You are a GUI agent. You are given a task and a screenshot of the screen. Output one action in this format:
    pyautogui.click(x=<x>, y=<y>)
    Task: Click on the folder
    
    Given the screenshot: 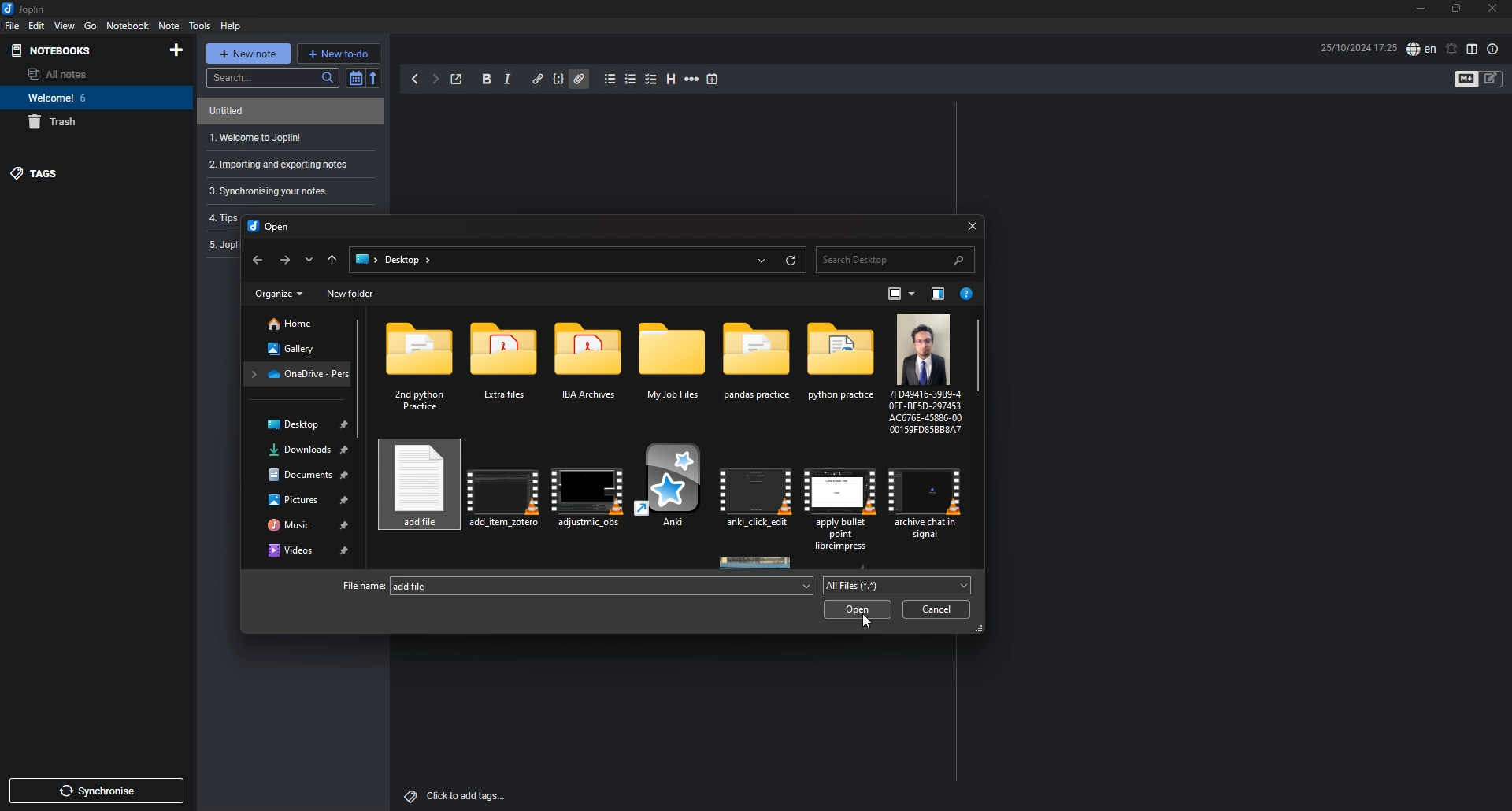 What is the action you would take?
    pyautogui.click(x=674, y=369)
    